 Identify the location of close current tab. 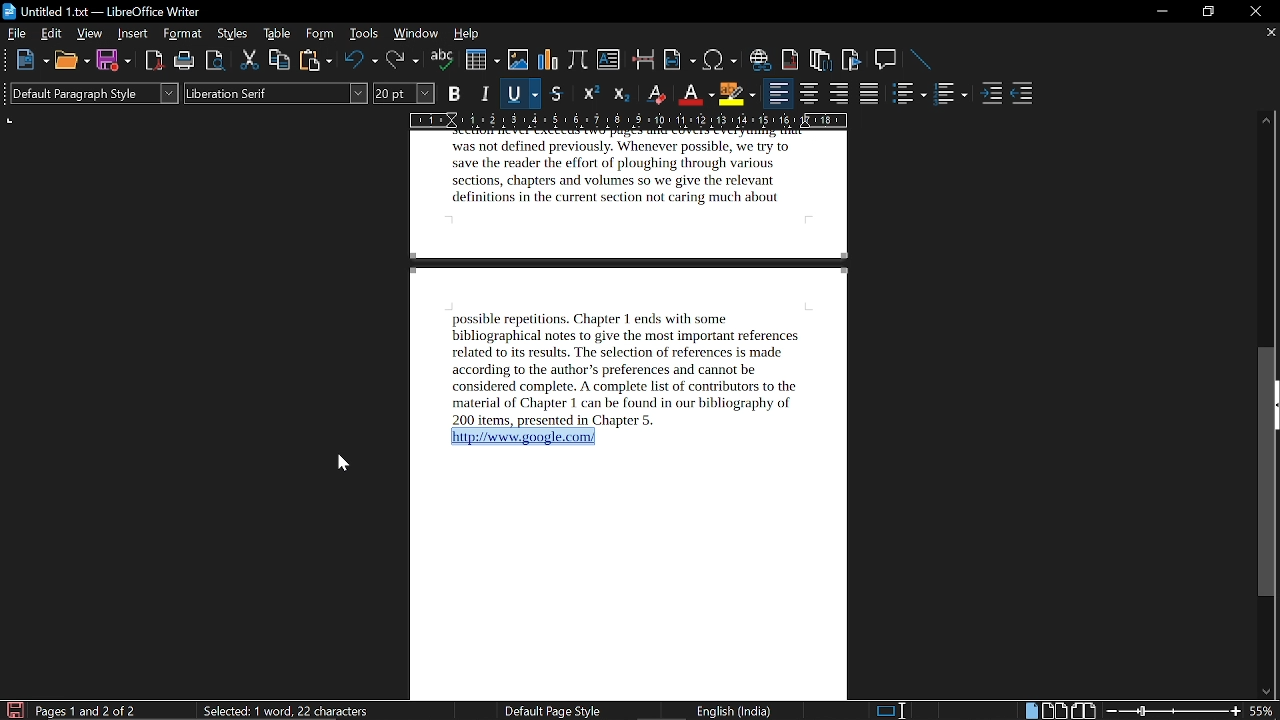
(1269, 35).